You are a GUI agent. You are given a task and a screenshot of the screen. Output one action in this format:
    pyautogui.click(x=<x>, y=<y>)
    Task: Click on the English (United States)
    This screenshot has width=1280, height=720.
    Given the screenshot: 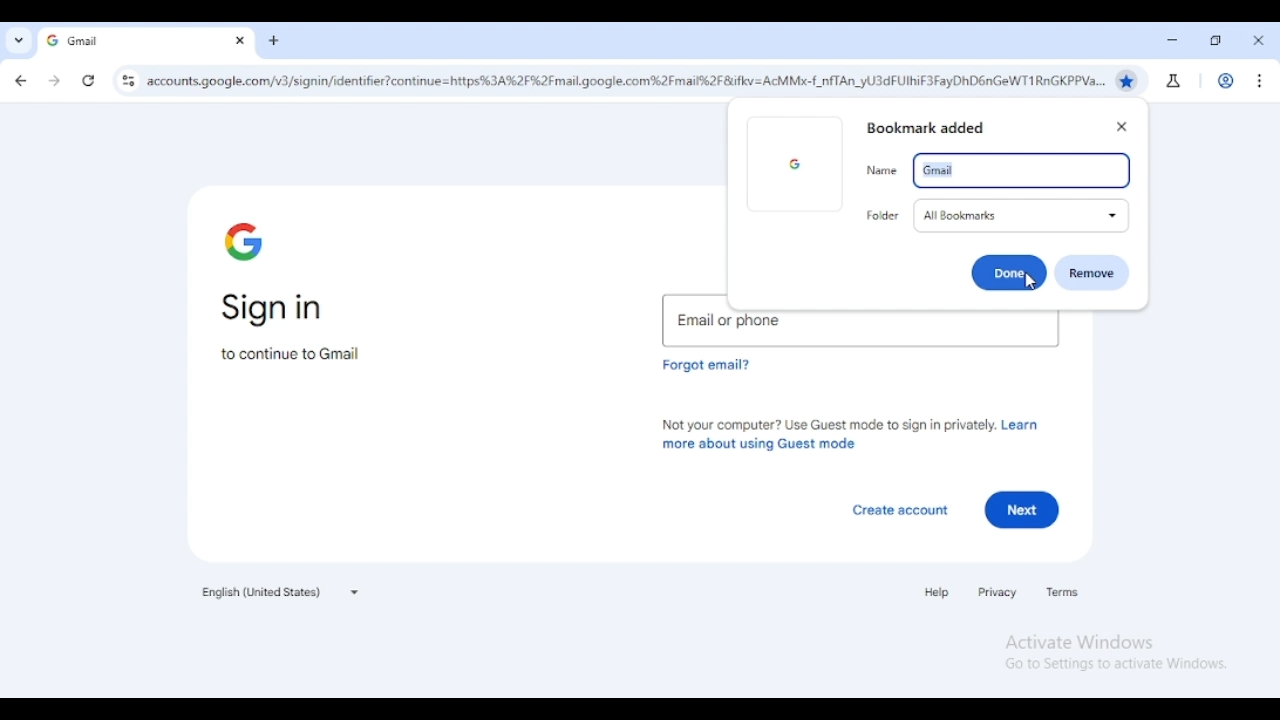 What is the action you would take?
    pyautogui.click(x=279, y=591)
    